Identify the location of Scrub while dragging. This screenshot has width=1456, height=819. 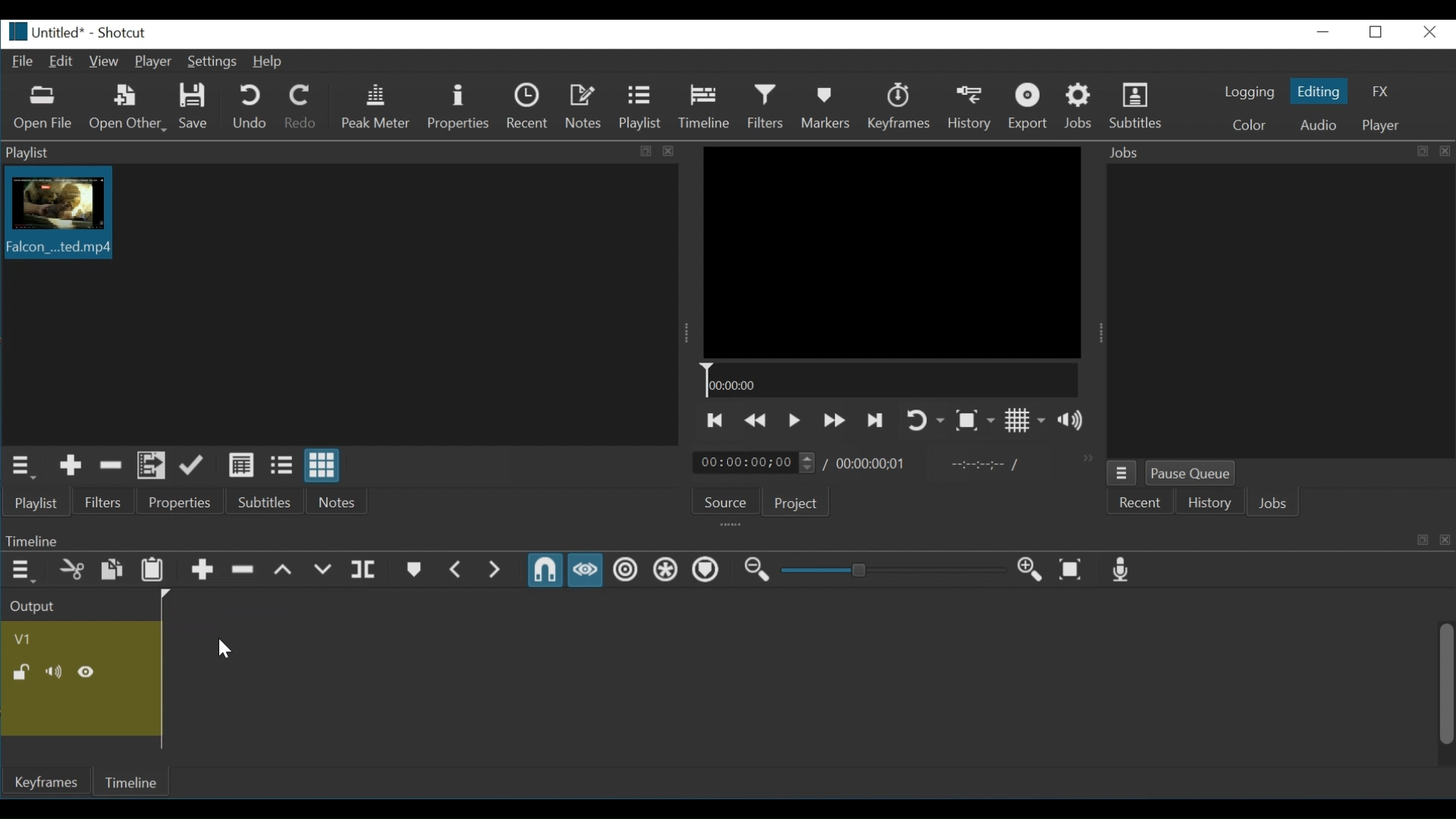
(585, 570).